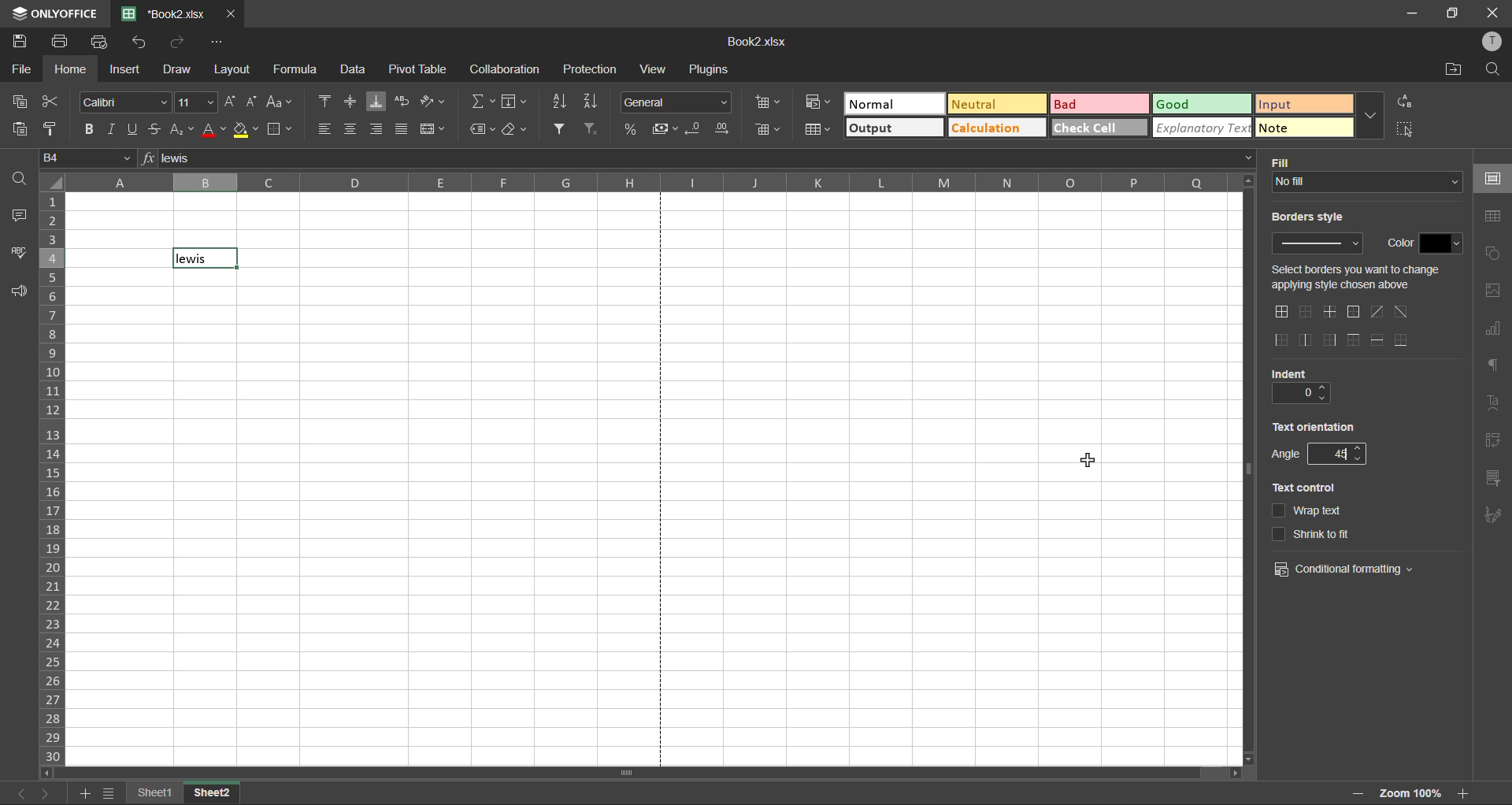  I want to click on app name, so click(55, 13).